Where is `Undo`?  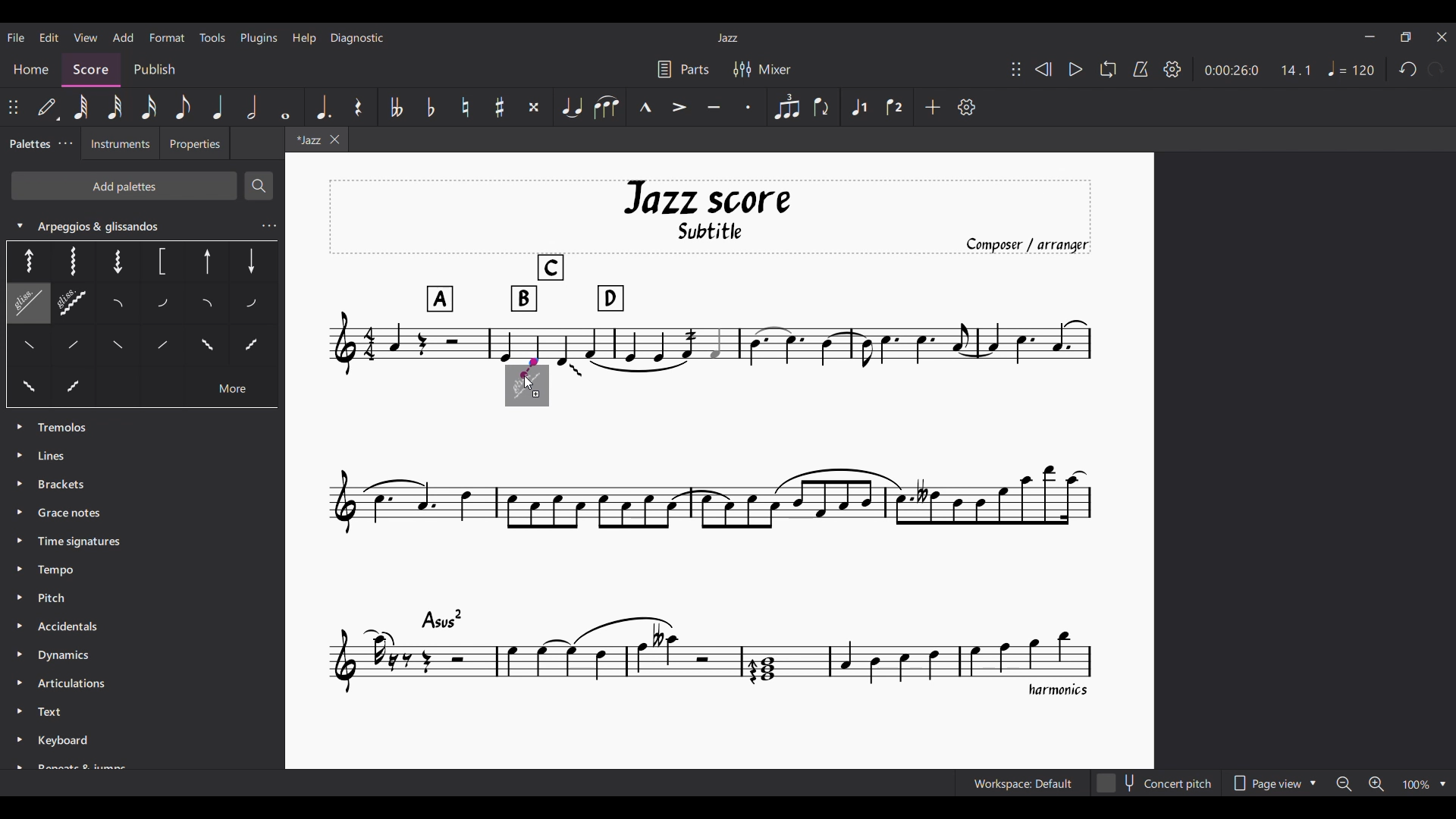
Undo is located at coordinates (1408, 69).